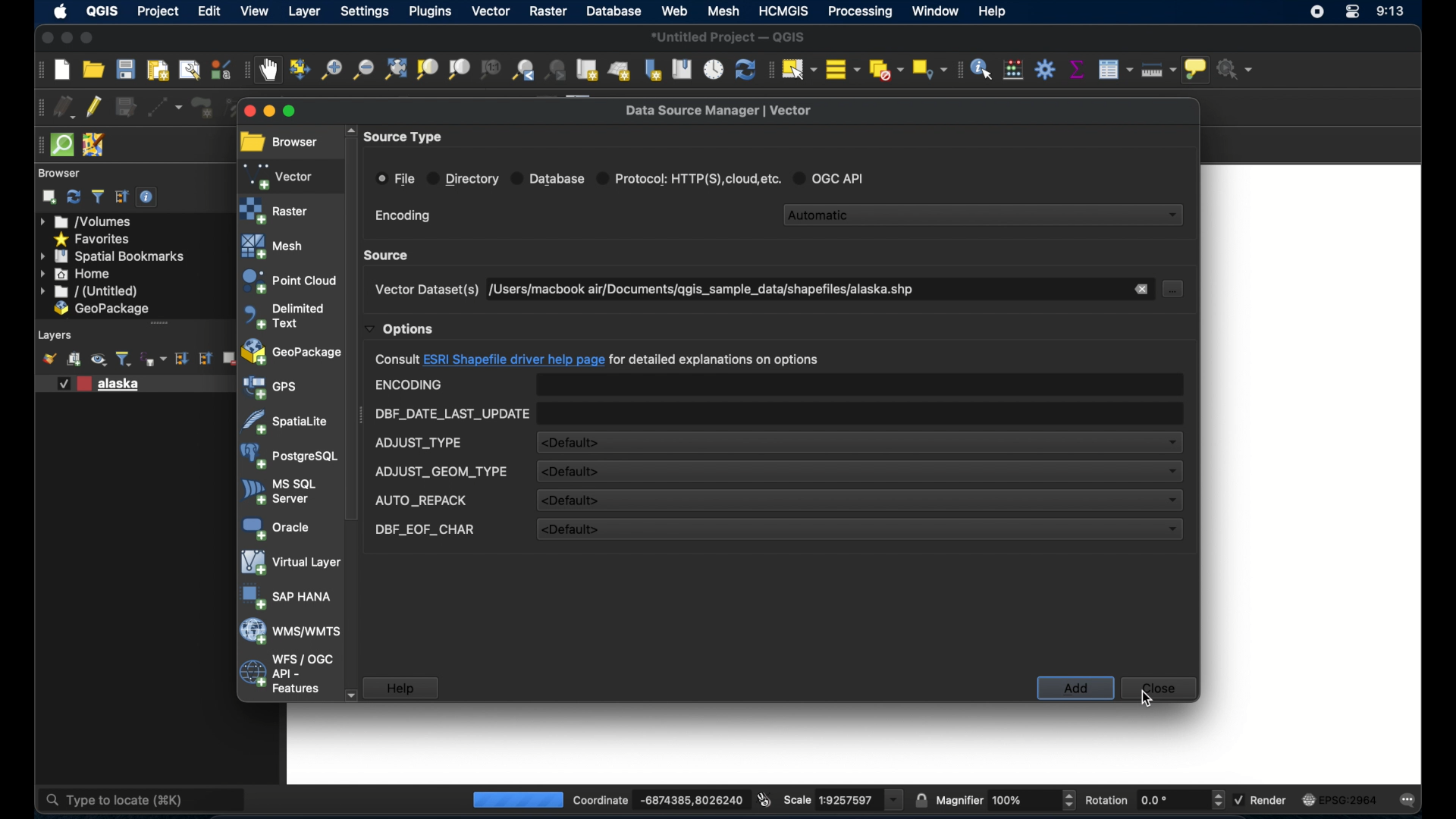 Image resolution: width=1456 pixels, height=819 pixels. Describe the element at coordinates (1241, 69) in the screenshot. I see `no action selected` at that location.